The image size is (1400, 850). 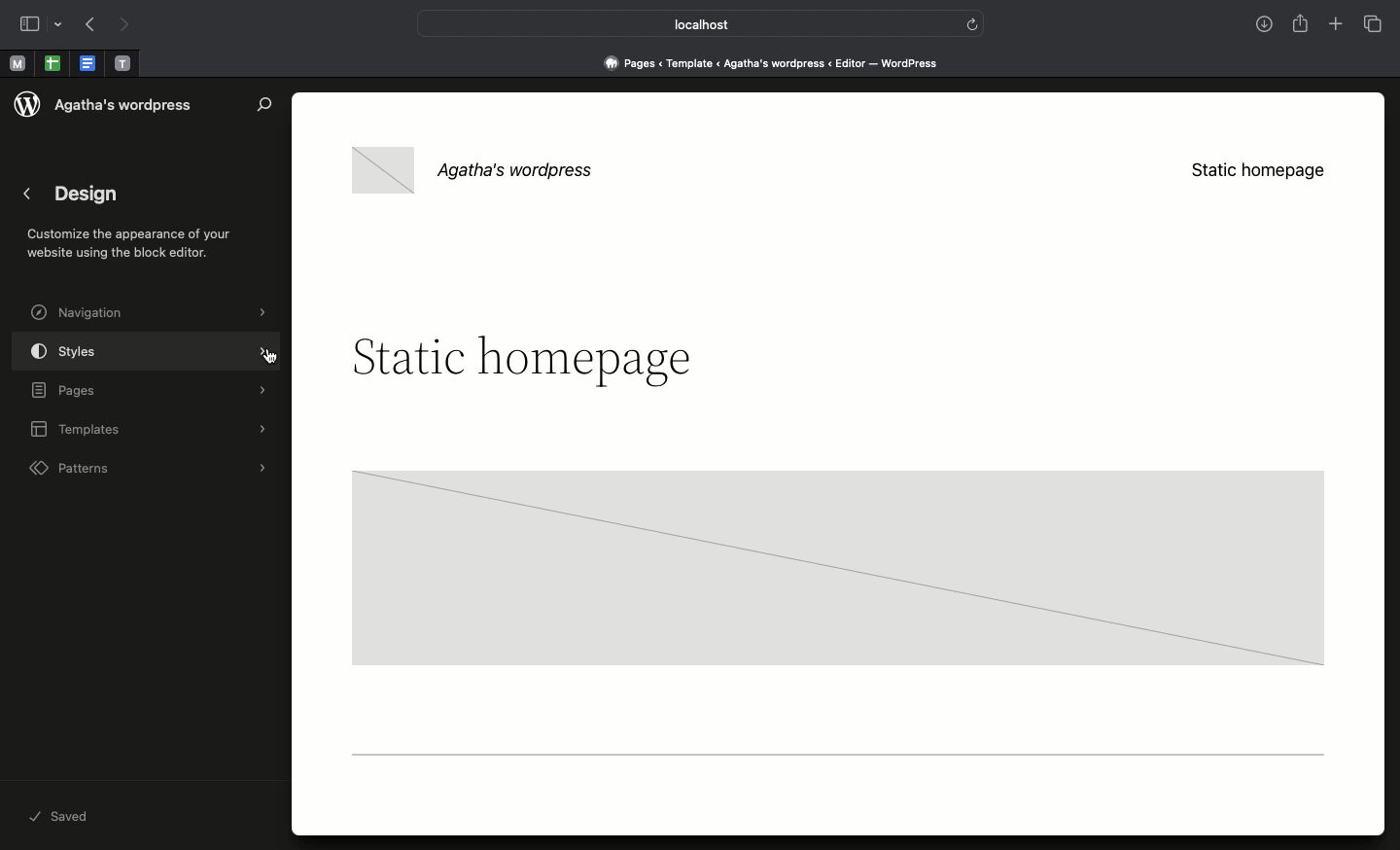 I want to click on Share, so click(x=1302, y=23).